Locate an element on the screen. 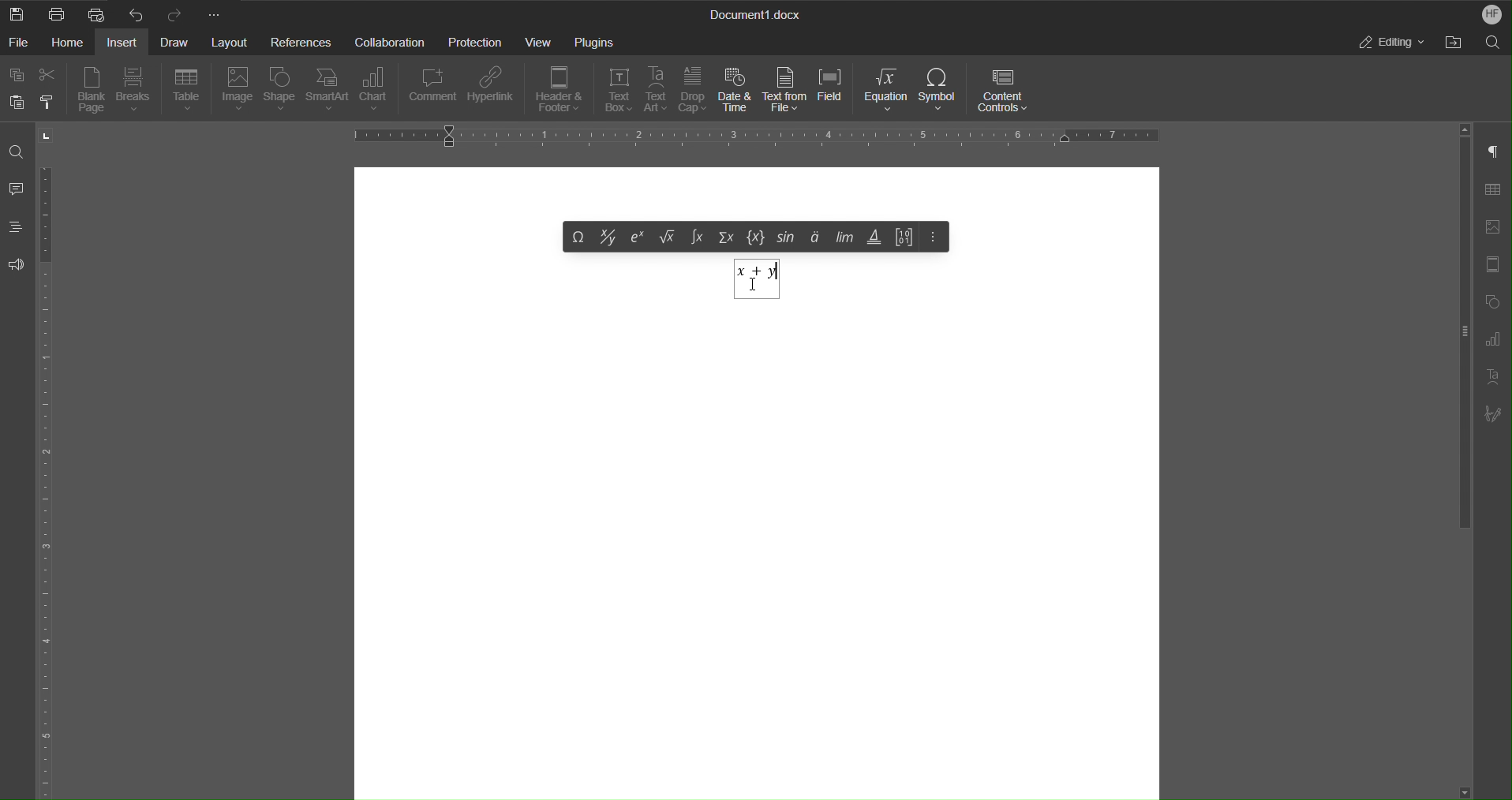 This screenshot has height=800, width=1512. Limits is located at coordinates (844, 237).